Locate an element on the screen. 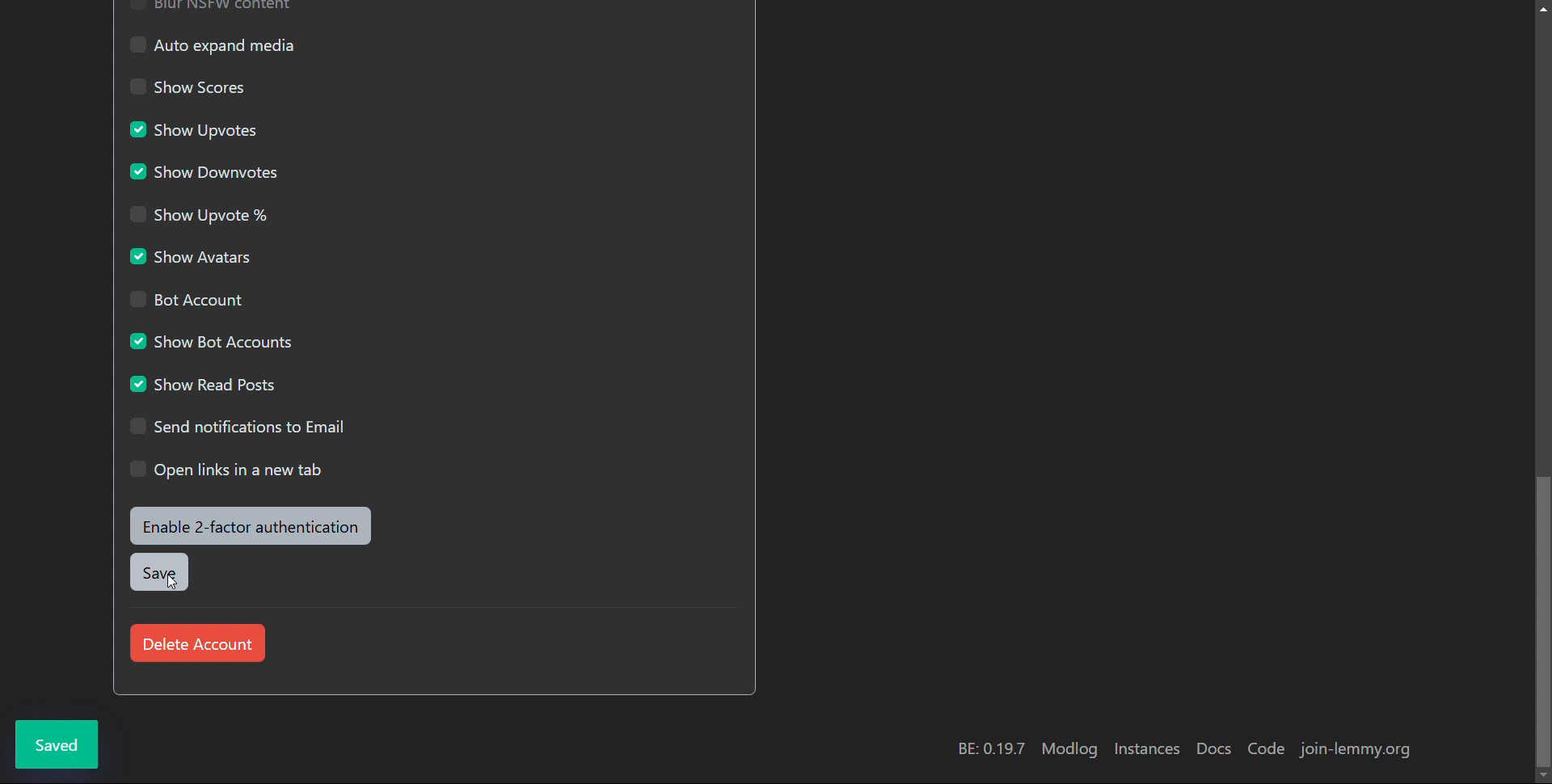  bot account is located at coordinates (188, 300).